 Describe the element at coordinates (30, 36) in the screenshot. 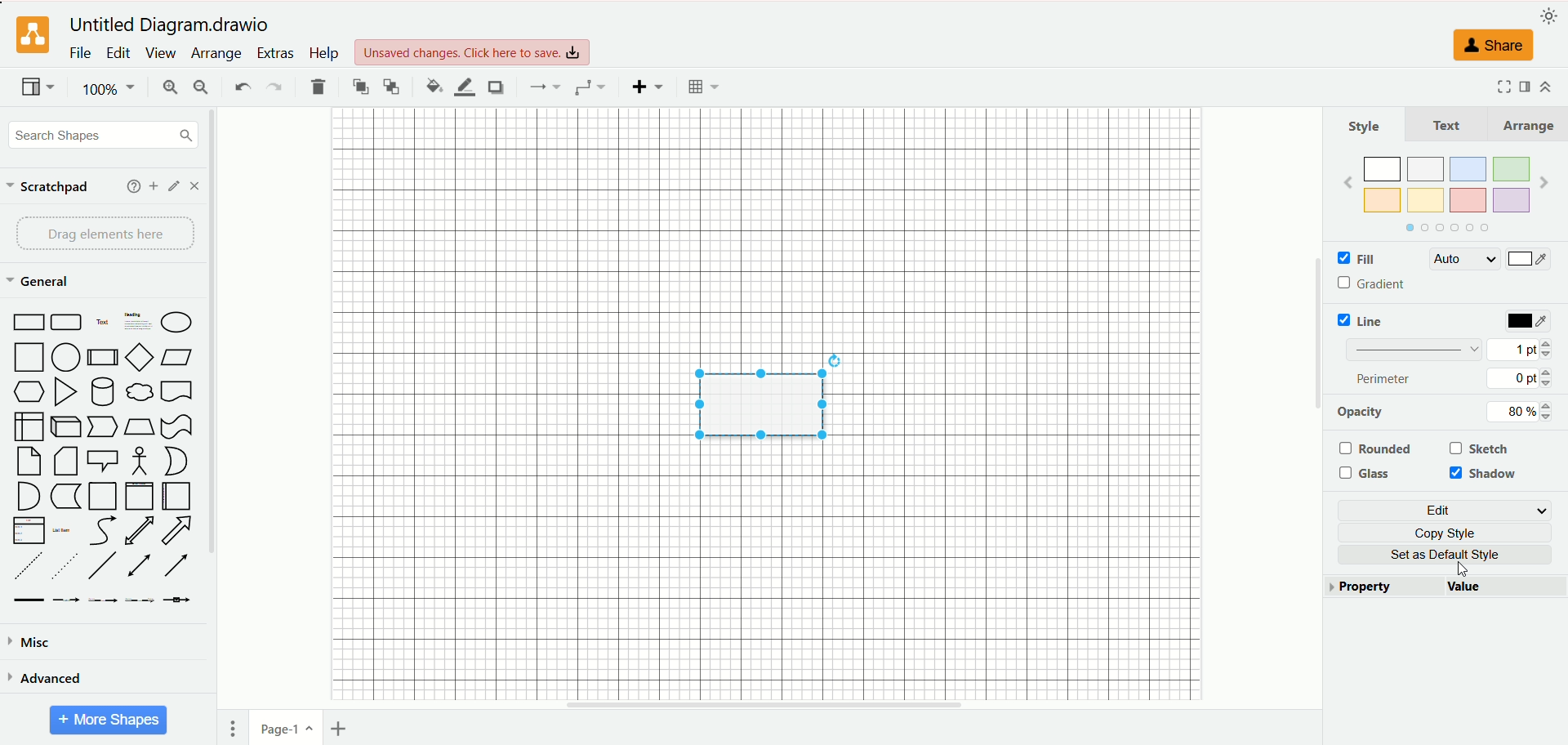

I see `logo` at that location.